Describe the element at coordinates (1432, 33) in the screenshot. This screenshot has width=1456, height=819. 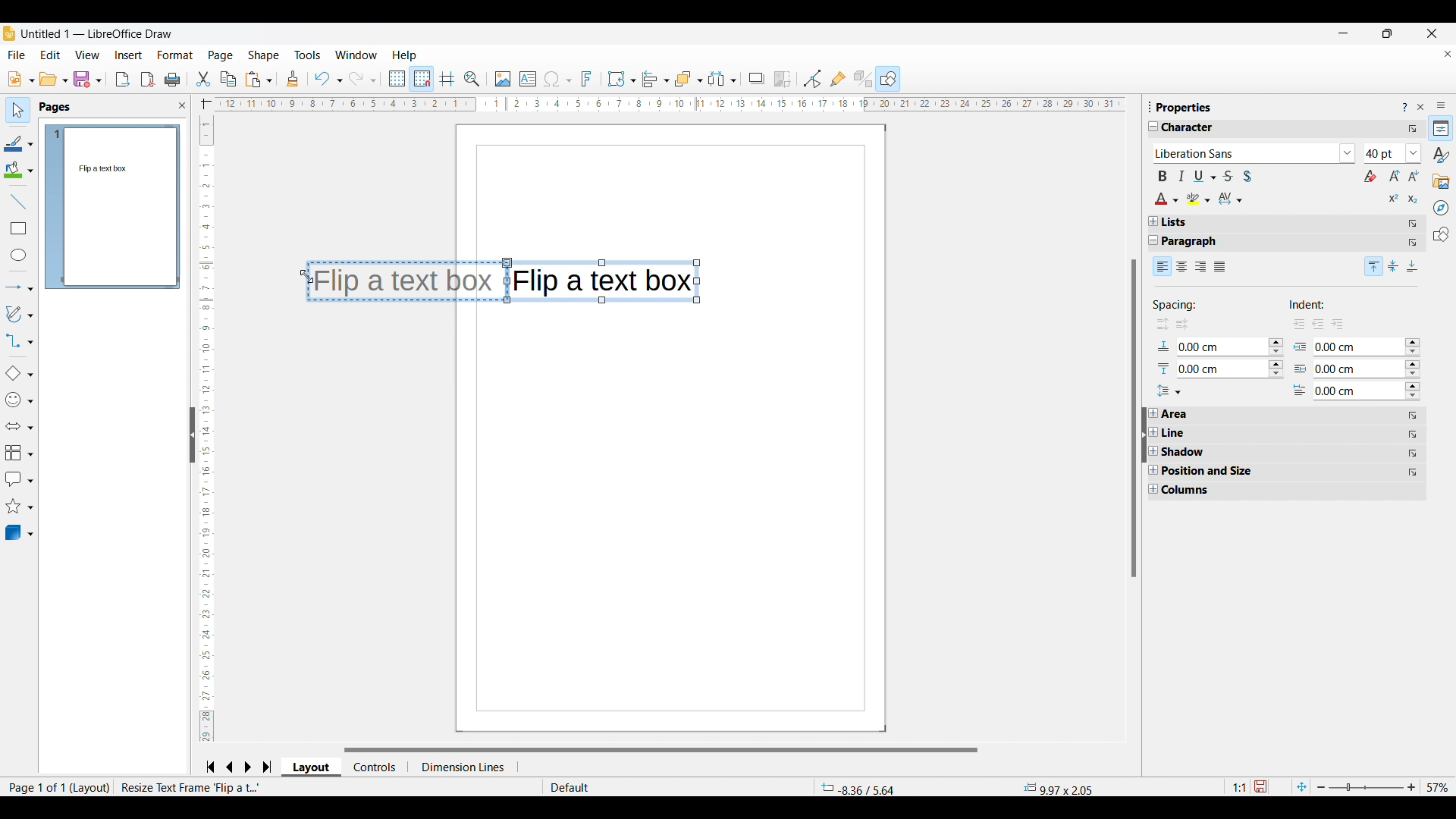
I see `Close window` at that location.